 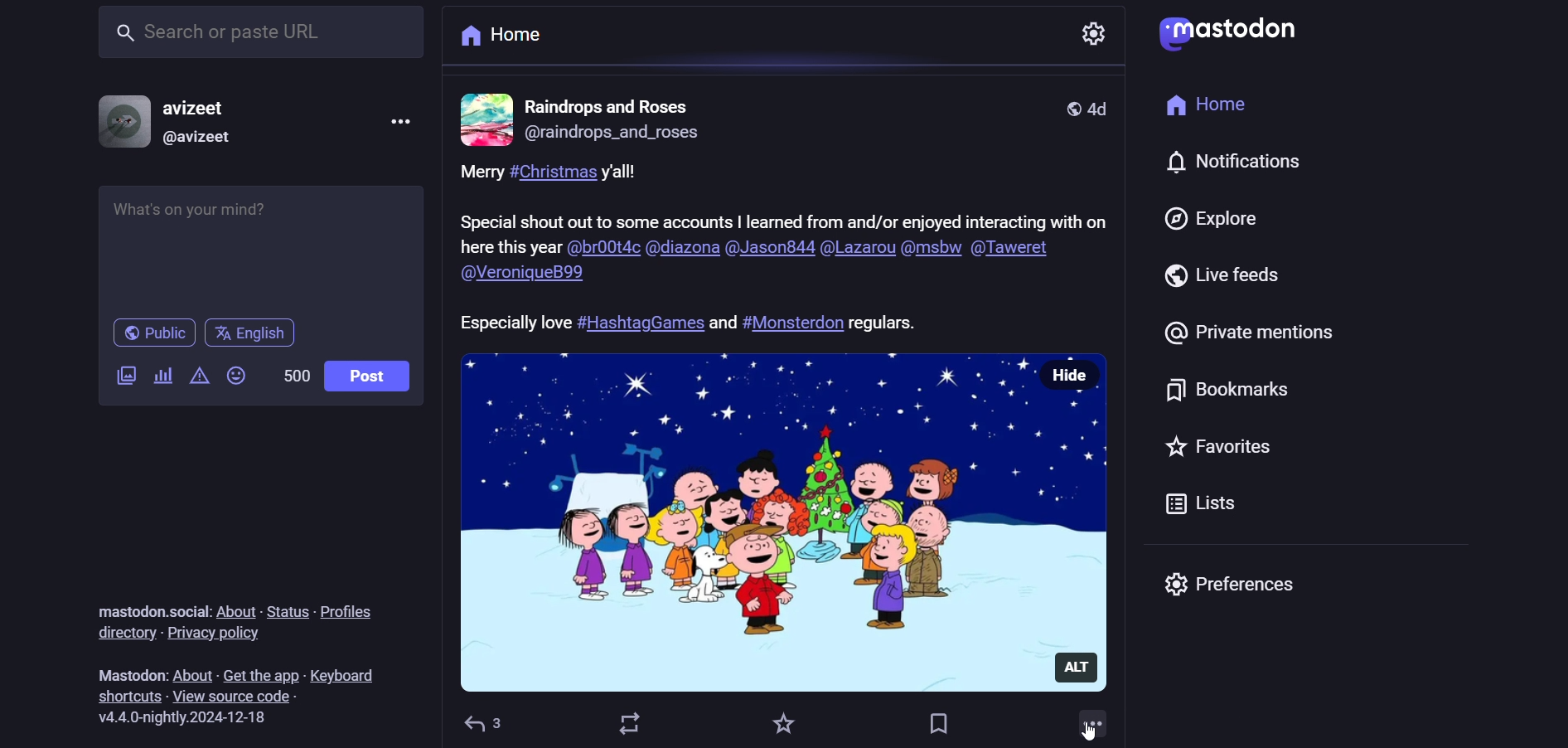 What do you see at coordinates (486, 118) in the screenshot?
I see `profile picture` at bounding box center [486, 118].